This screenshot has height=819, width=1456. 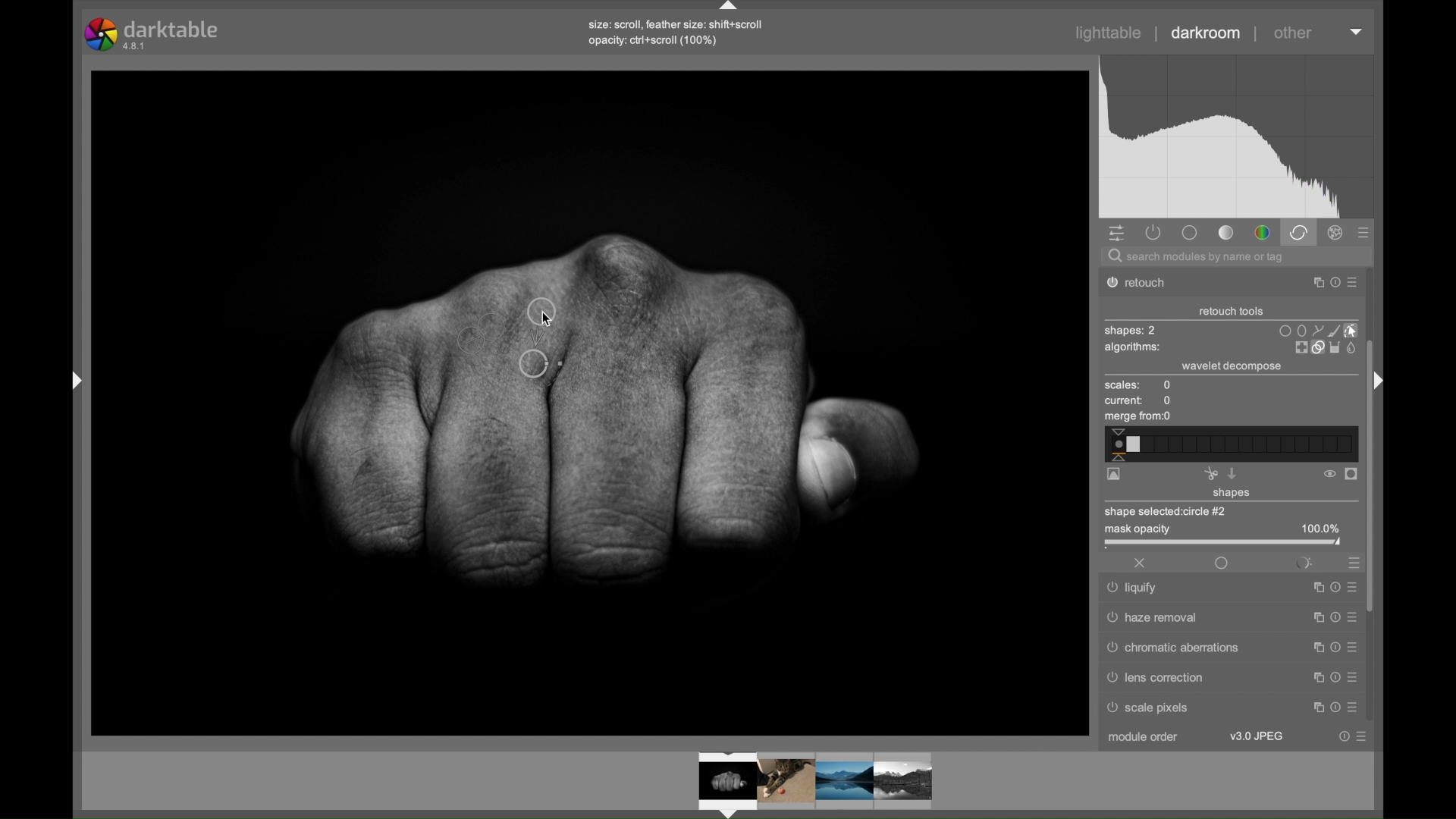 I want to click on uniformly, so click(x=1221, y=563).